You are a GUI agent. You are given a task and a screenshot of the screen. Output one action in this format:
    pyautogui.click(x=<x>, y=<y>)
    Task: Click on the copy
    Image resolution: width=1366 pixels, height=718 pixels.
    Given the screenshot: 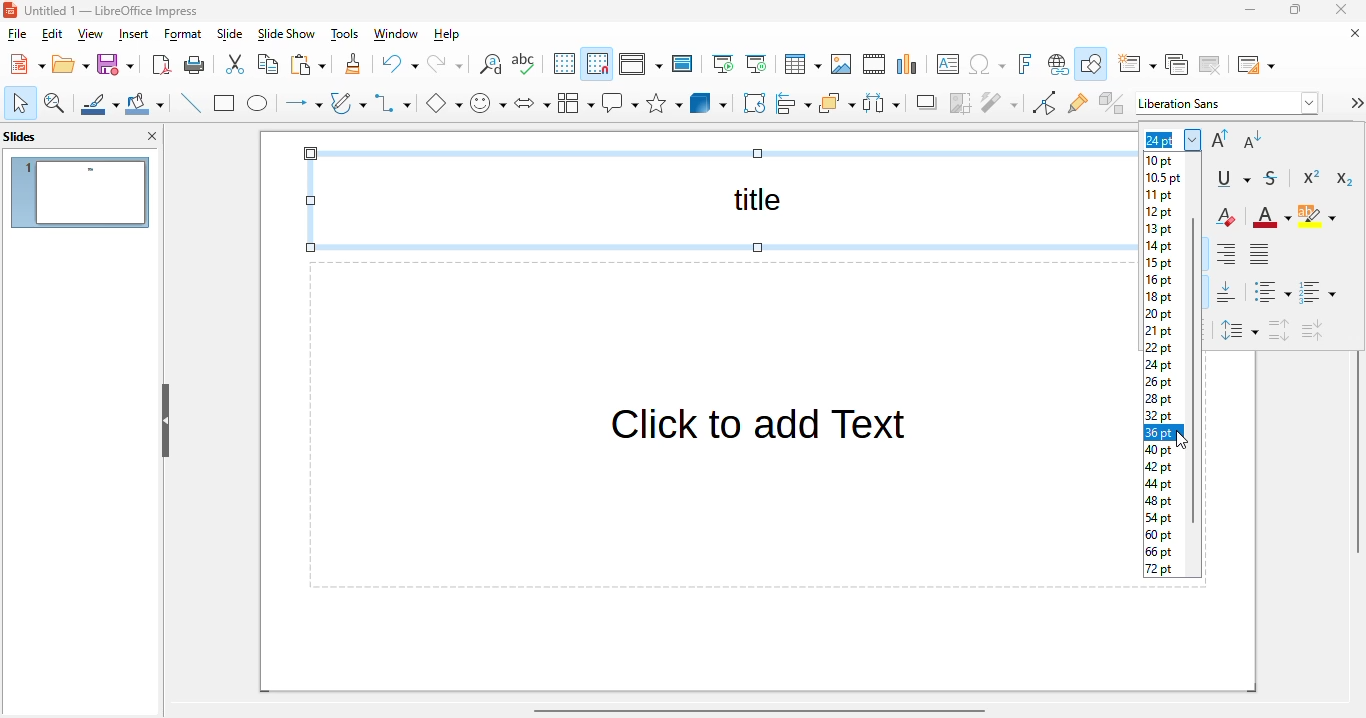 What is the action you would take?
    pyautogui.click(x=268, y=64)
    